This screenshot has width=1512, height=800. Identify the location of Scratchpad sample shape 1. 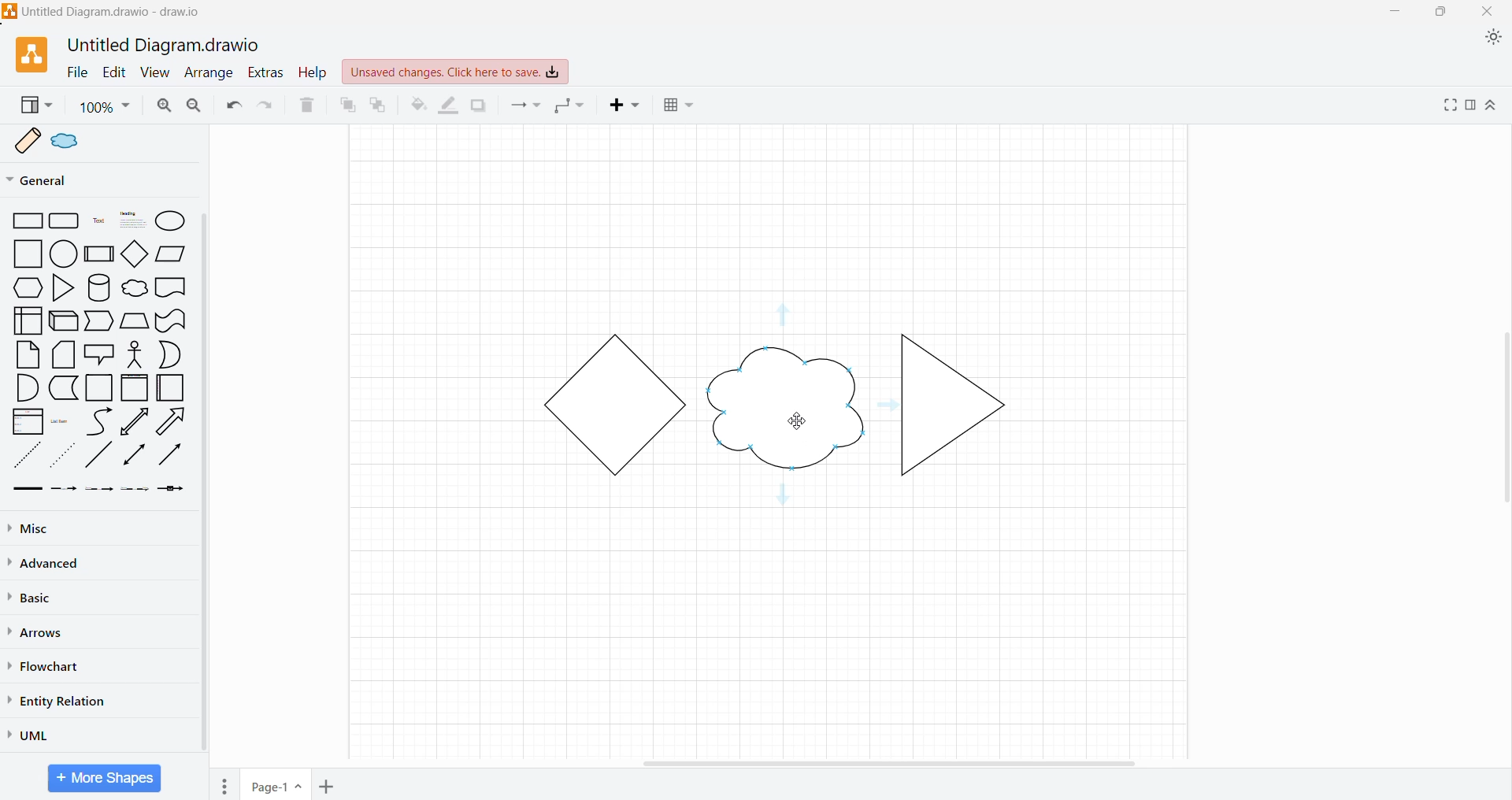
(29, 139).